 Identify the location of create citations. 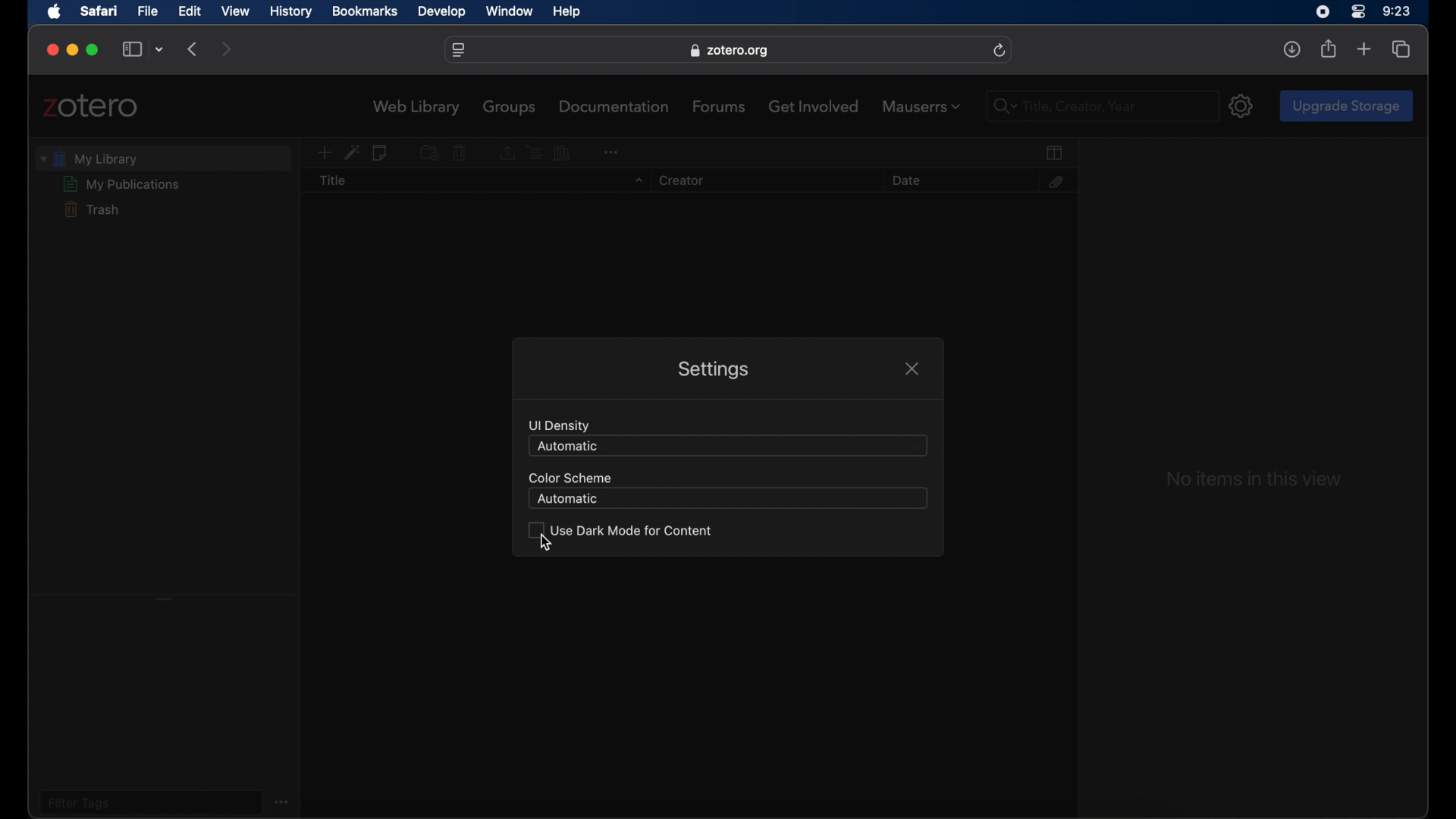
(534, 152).